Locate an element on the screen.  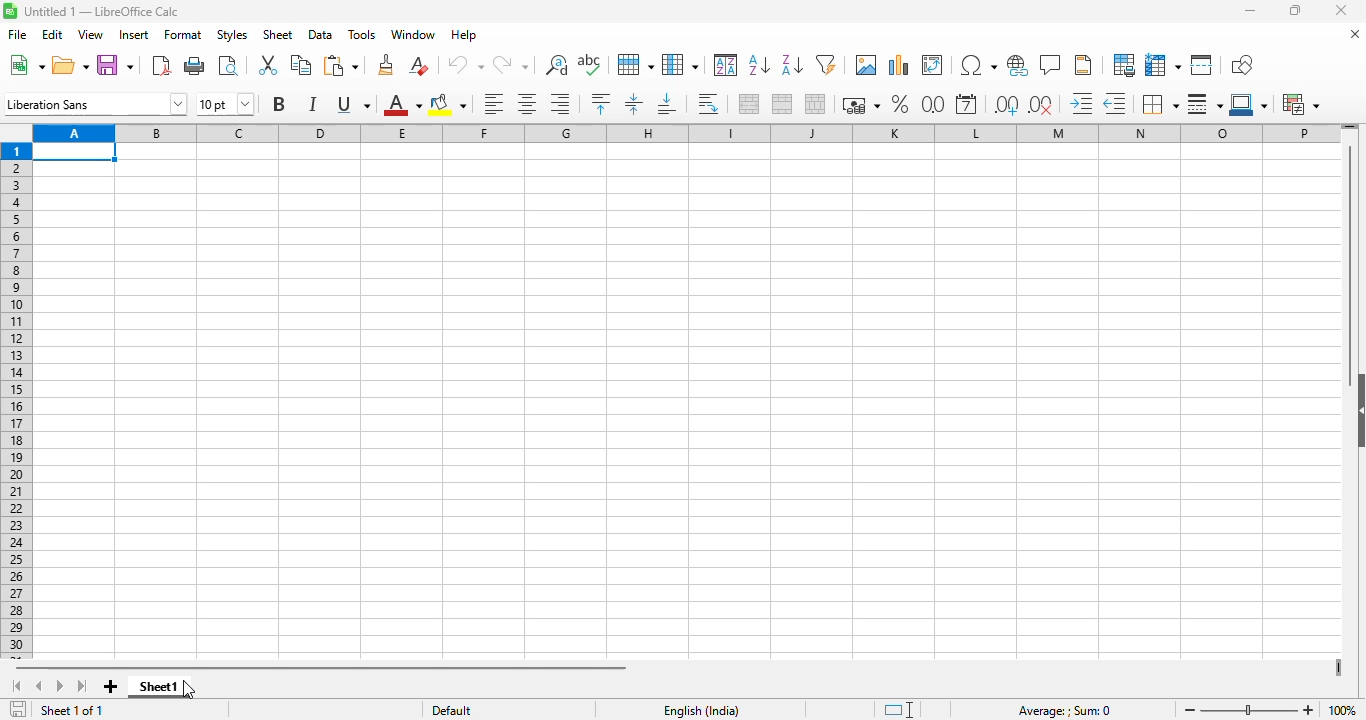
bold is located at coordinates (279, 103).